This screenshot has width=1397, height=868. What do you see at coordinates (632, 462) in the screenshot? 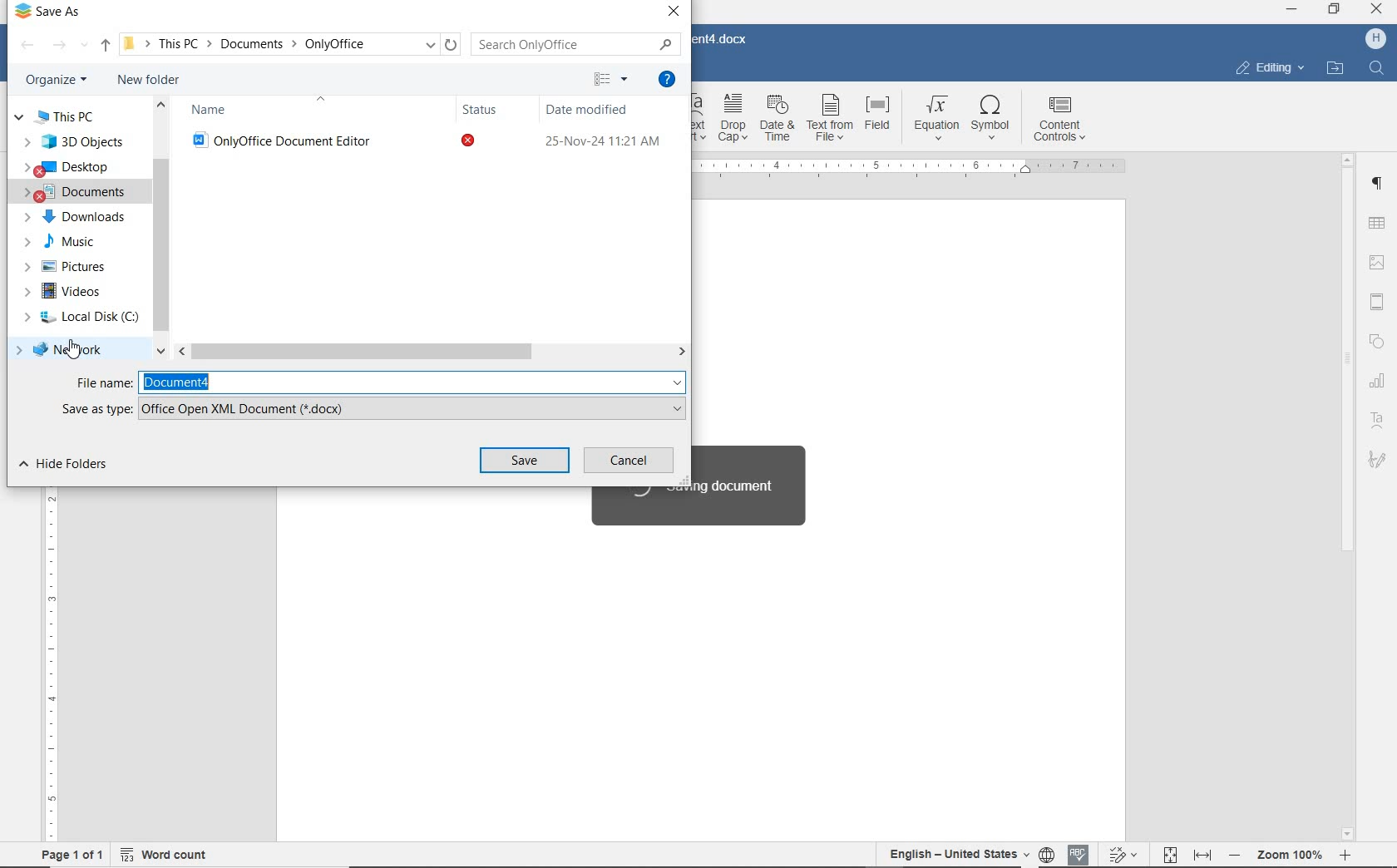
I see `cancel` at bounding box center [632, 462].